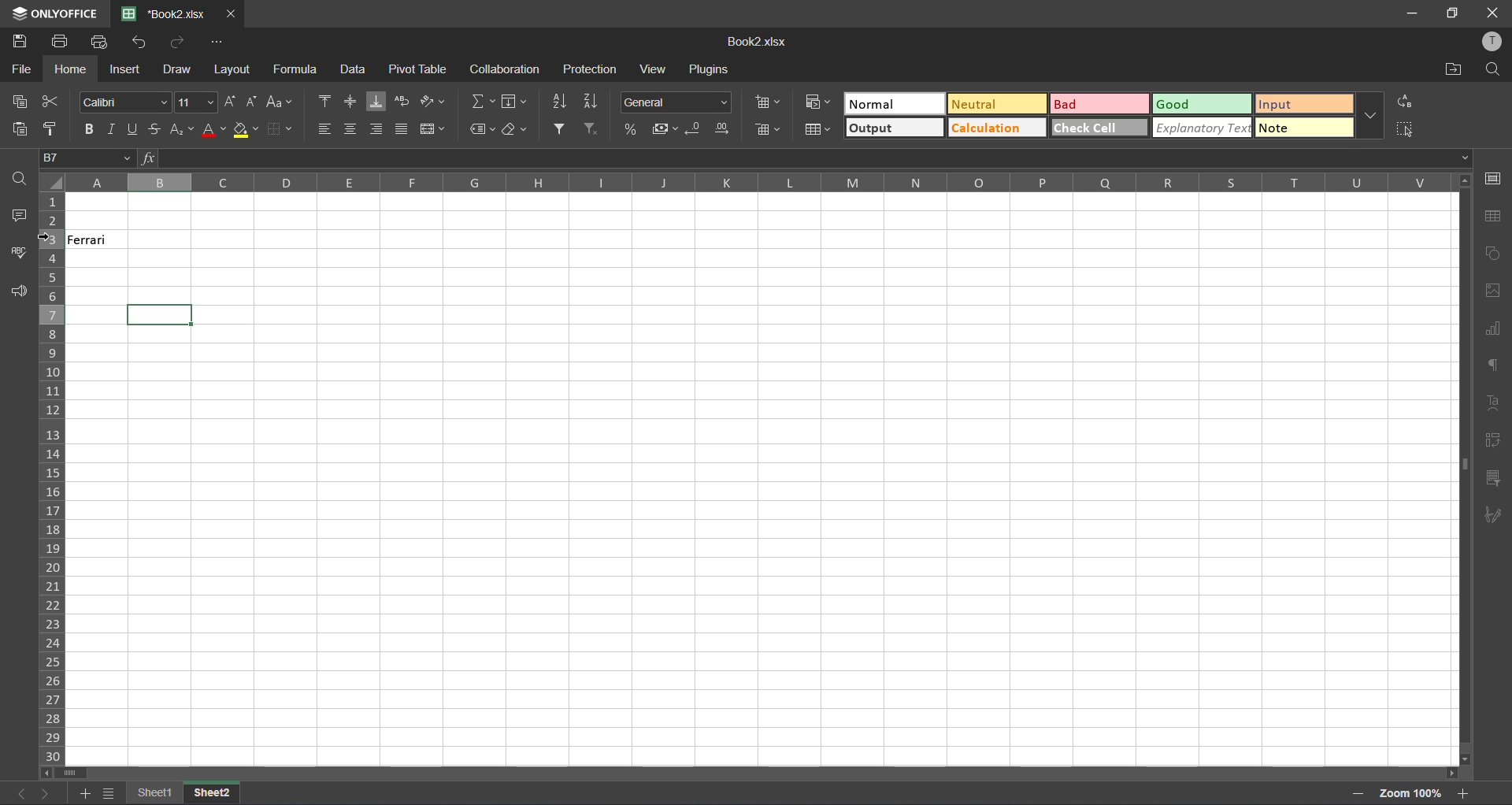 The width and height of the screenshot is (1512, 805). What do you see at coordinates (1099, 127) in the screenshot?
I see `check cell` at bounding box center [1099, 127].